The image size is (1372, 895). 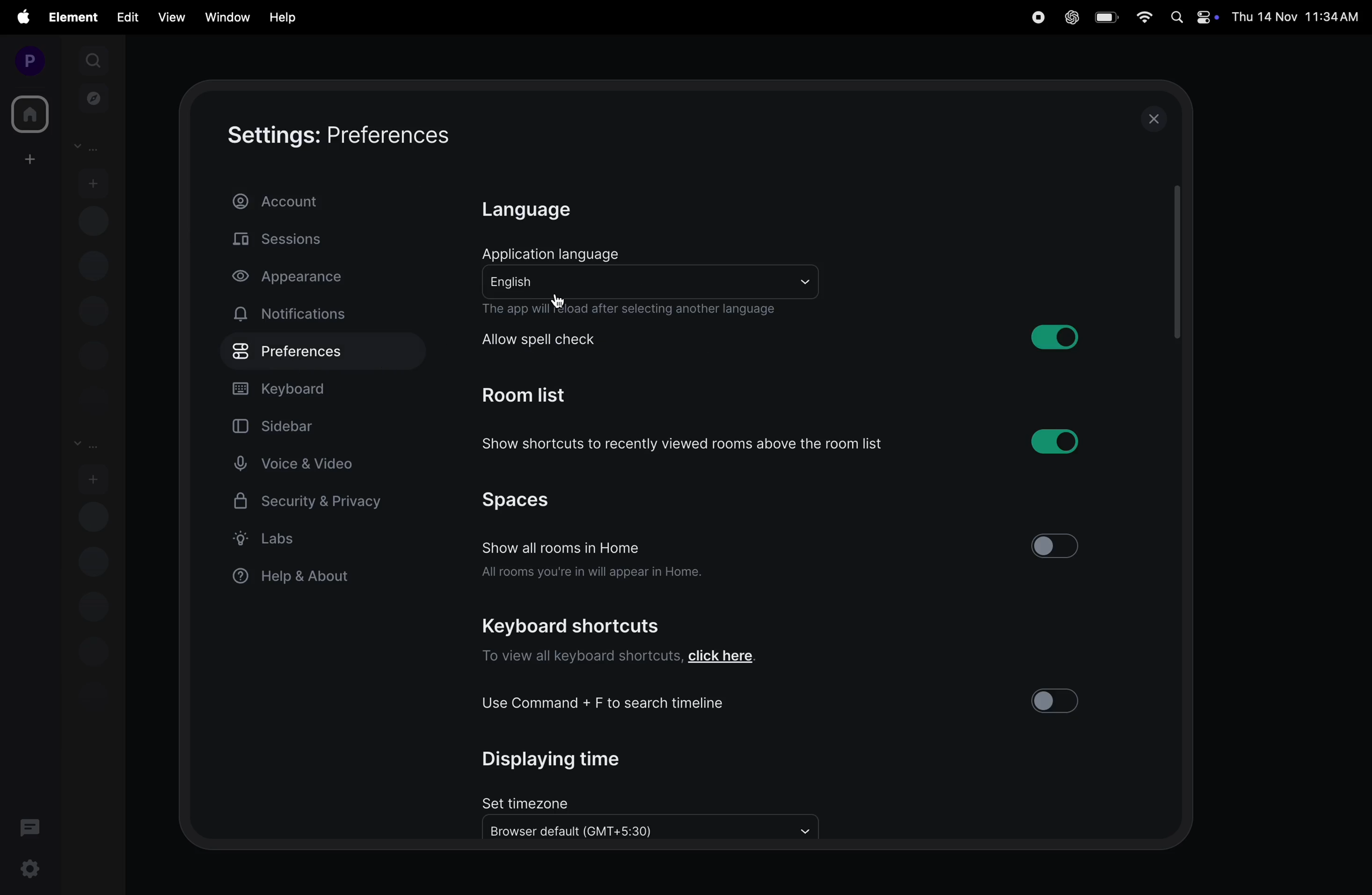 What do you see at coordinates (562, 253) in the screenshot?
I see `application language` at bounding box center [562, 253].